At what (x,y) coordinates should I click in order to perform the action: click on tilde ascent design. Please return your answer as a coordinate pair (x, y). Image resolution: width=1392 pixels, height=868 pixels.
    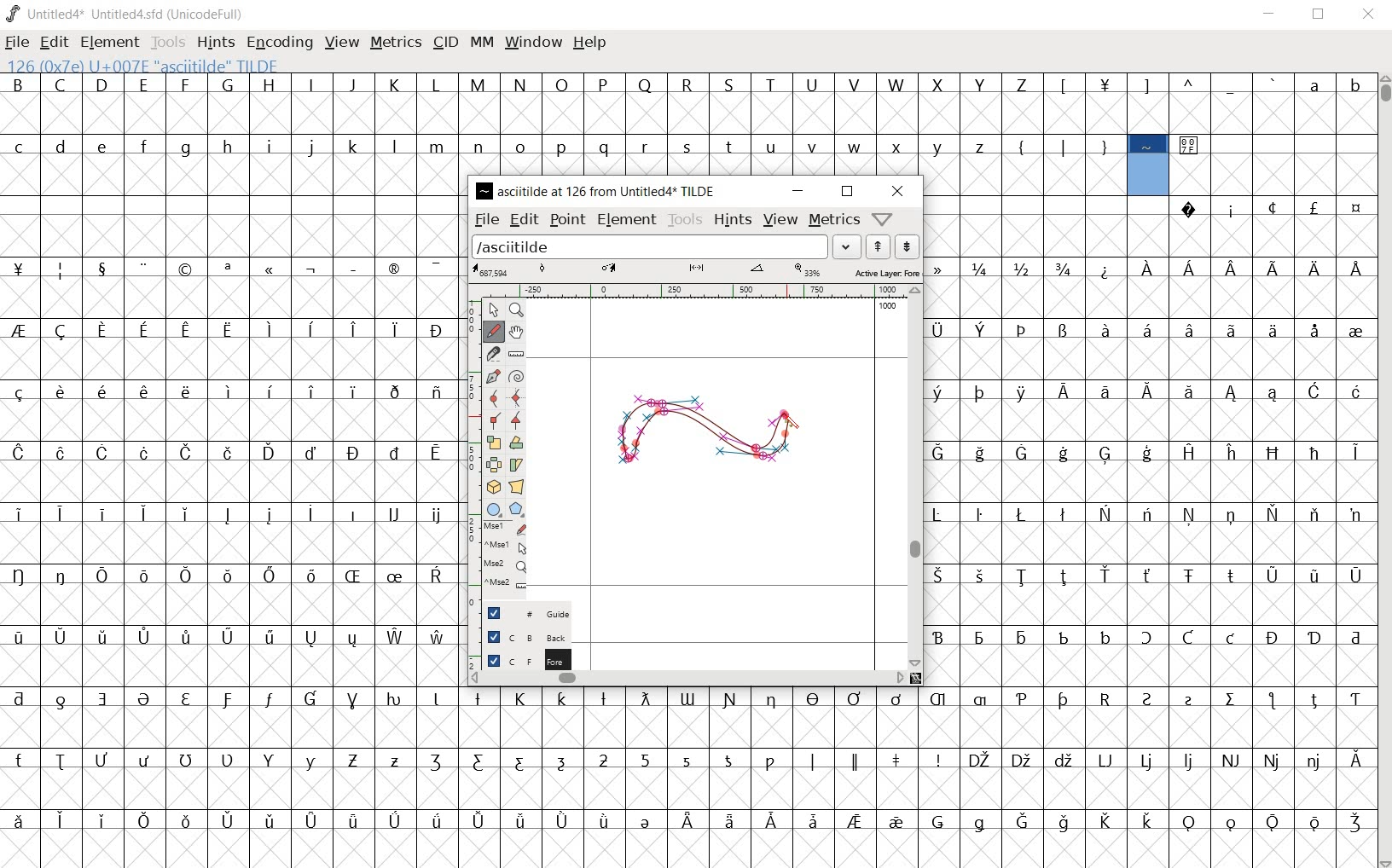
    Looking at the image, I should click on (715, 437).